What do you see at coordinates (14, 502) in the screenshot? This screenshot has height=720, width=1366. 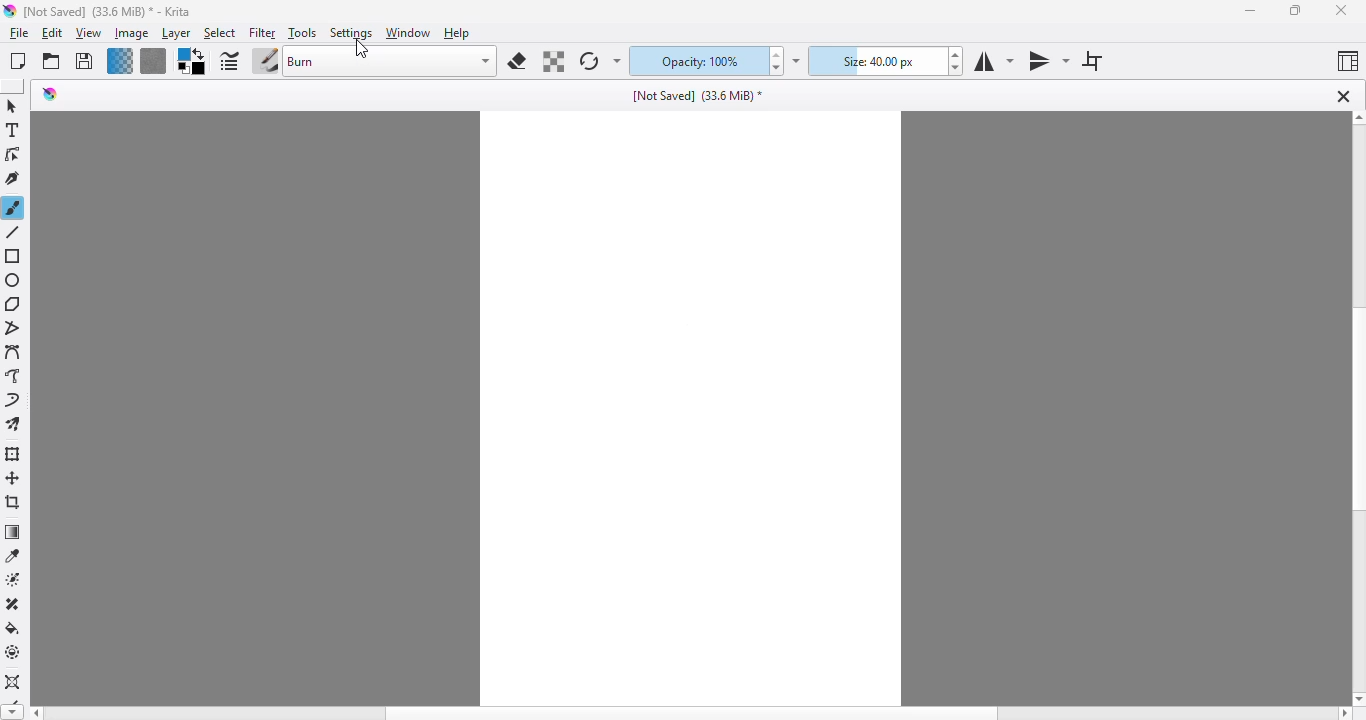 I see `crop the image to an area` at bounding box center [14, 502].